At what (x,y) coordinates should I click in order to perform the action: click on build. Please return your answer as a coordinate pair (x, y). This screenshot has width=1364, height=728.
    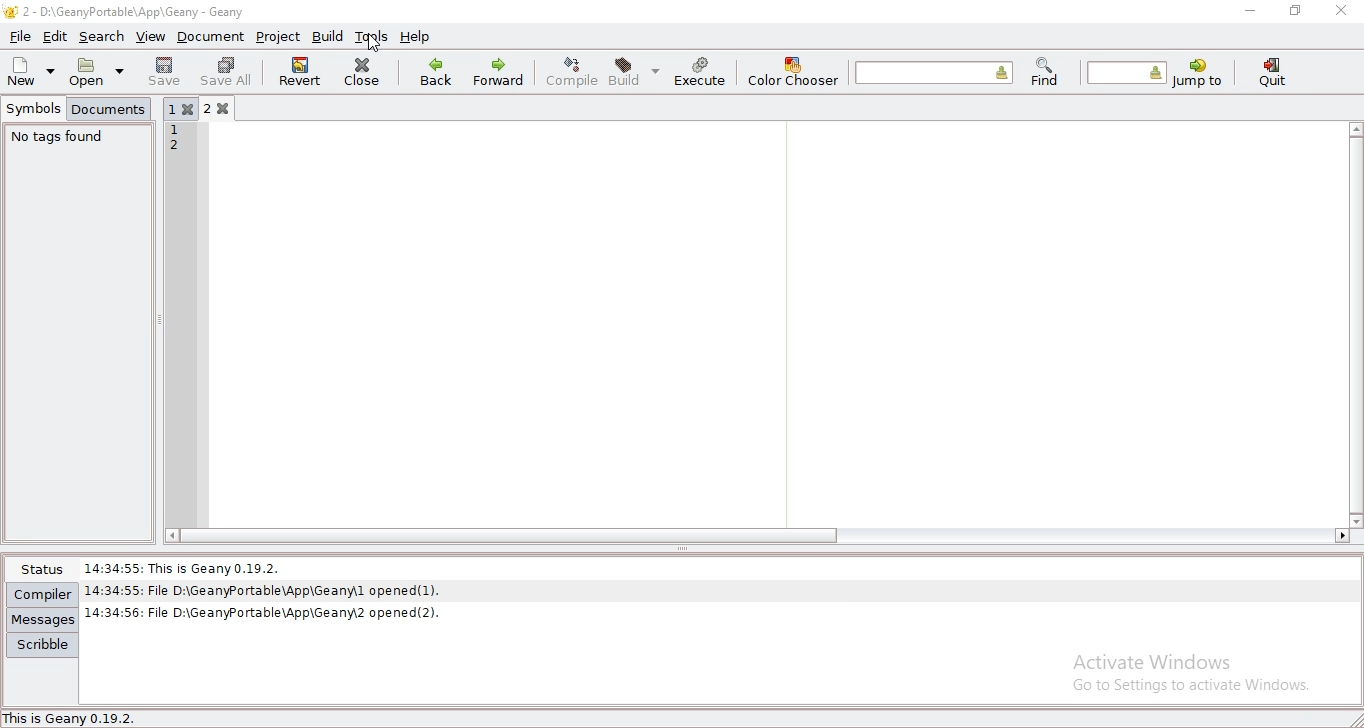
    Looking at the image, I should click on (330, 37).